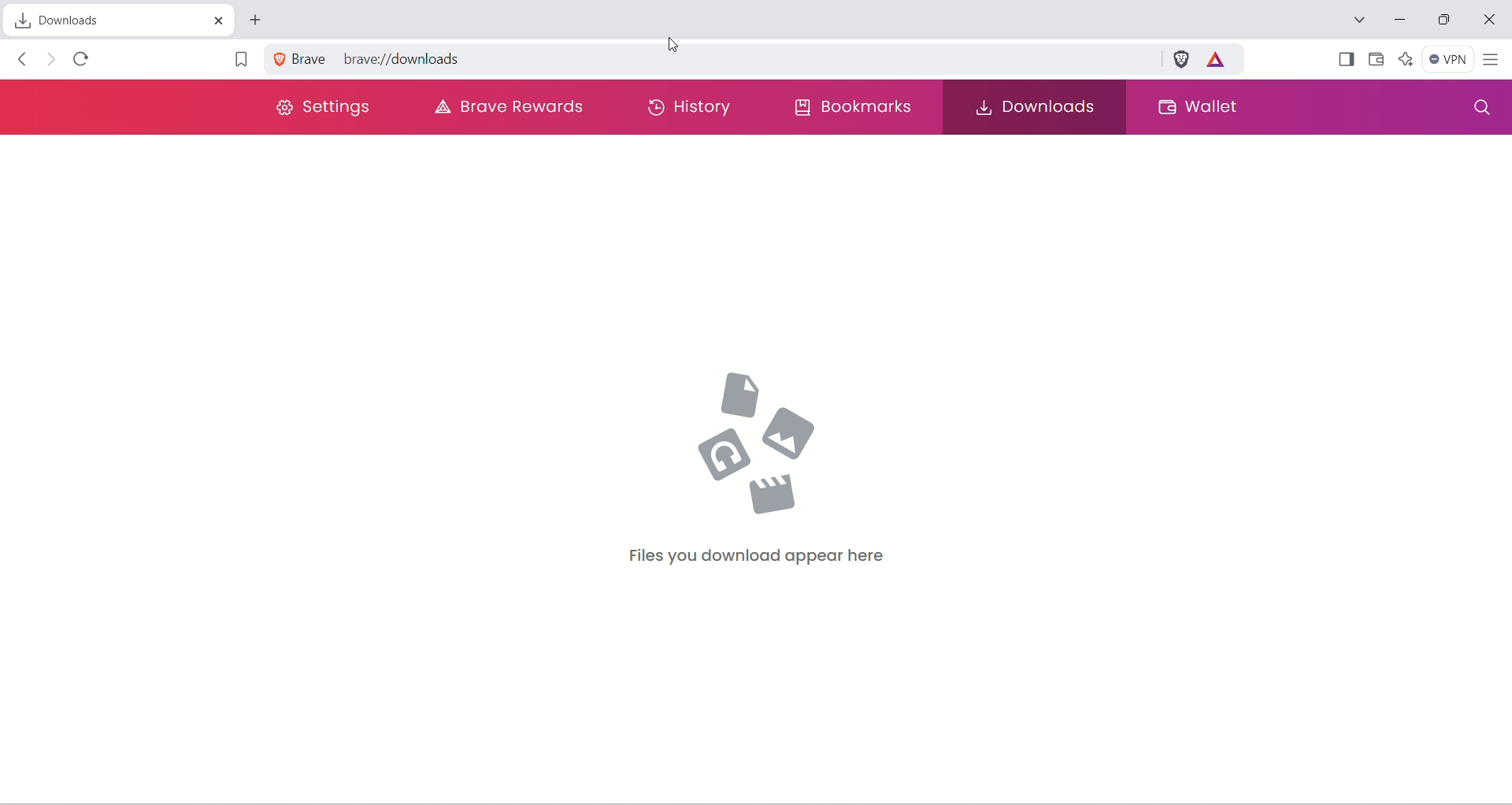 The width and height of the screenshot is (1512, 805). Describe the element at coordinates (1497, 61) in the screenshot. I see `customize and control brave` at that location.